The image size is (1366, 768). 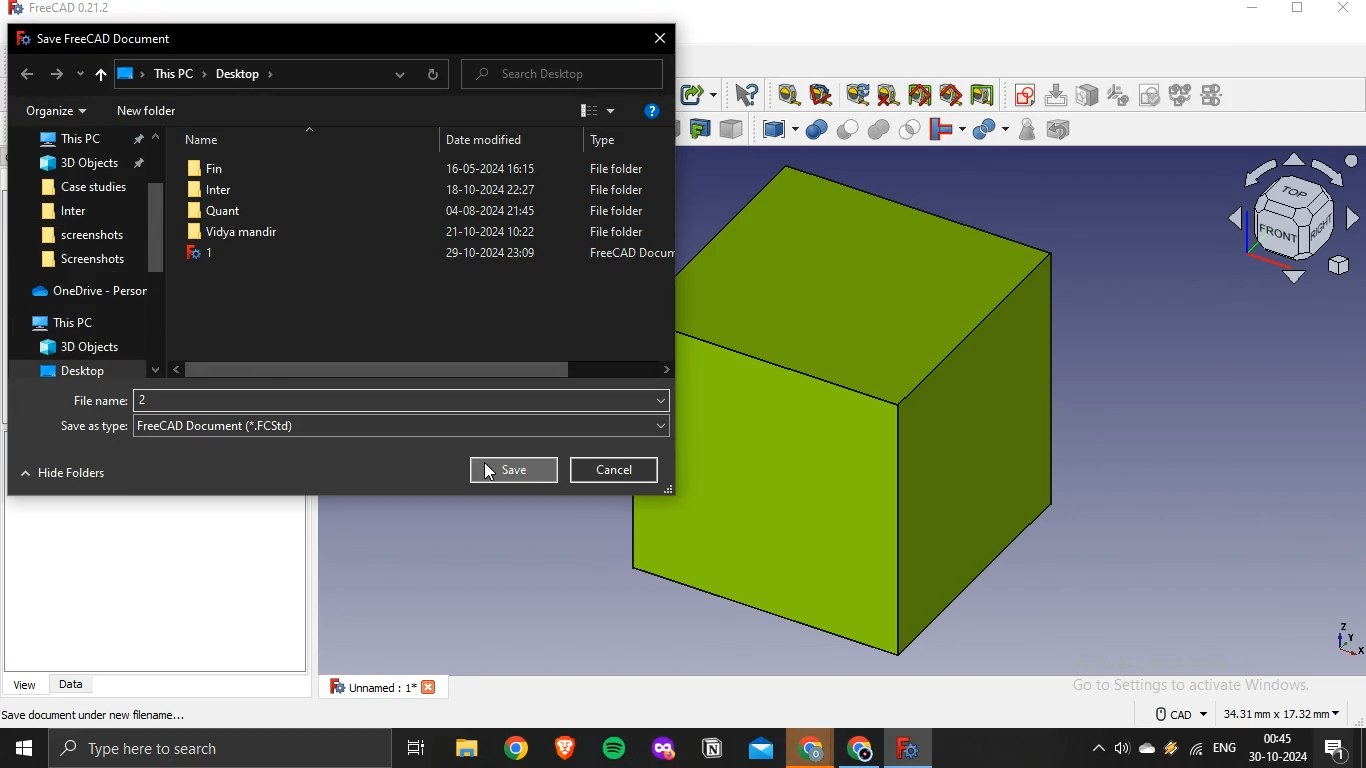 I want to click on Hide Folders, so click(x=67, y=476).